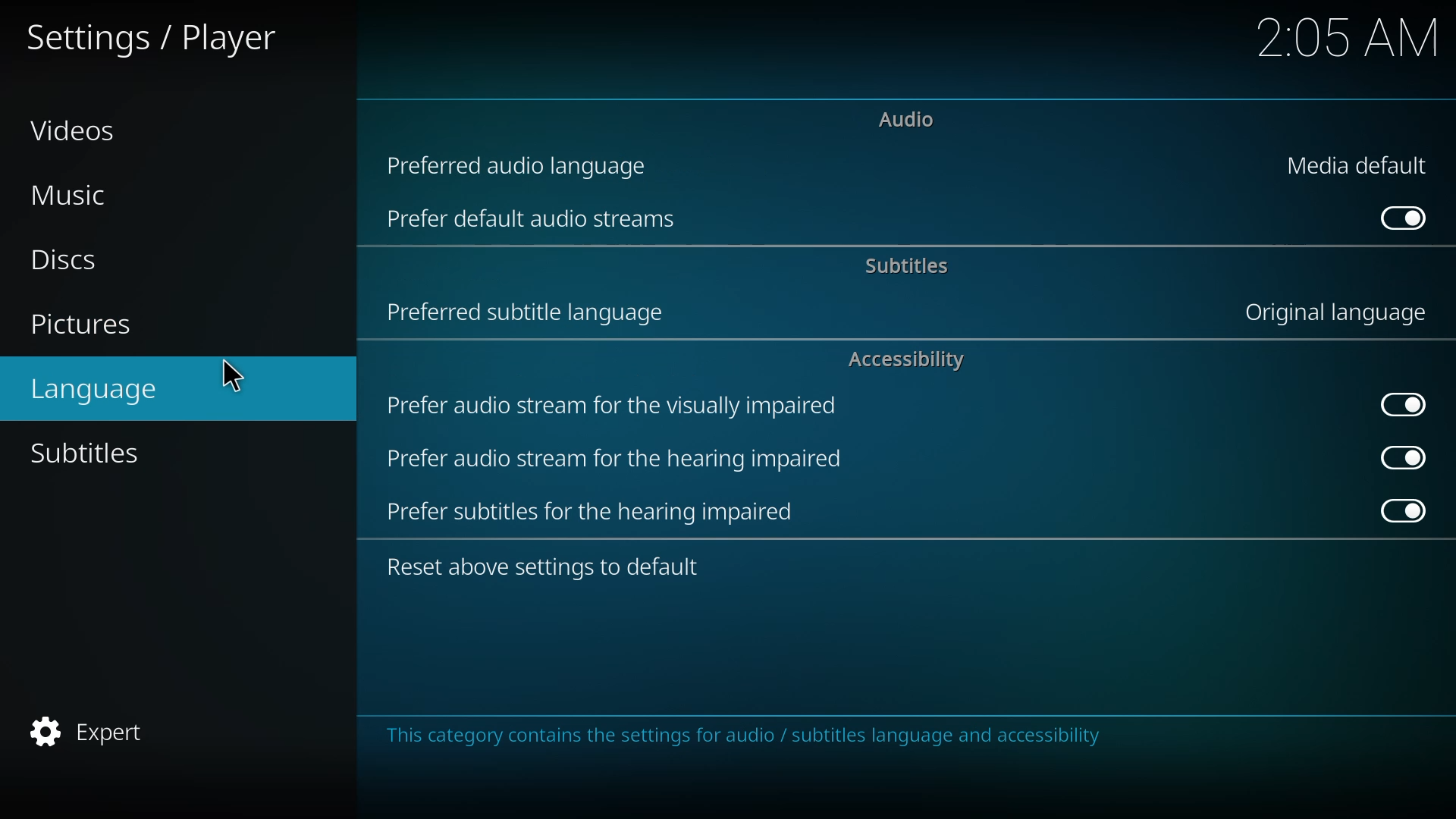 The width and height of the screenshot is (1456, 819). I want to click on language, so click(100, 388).